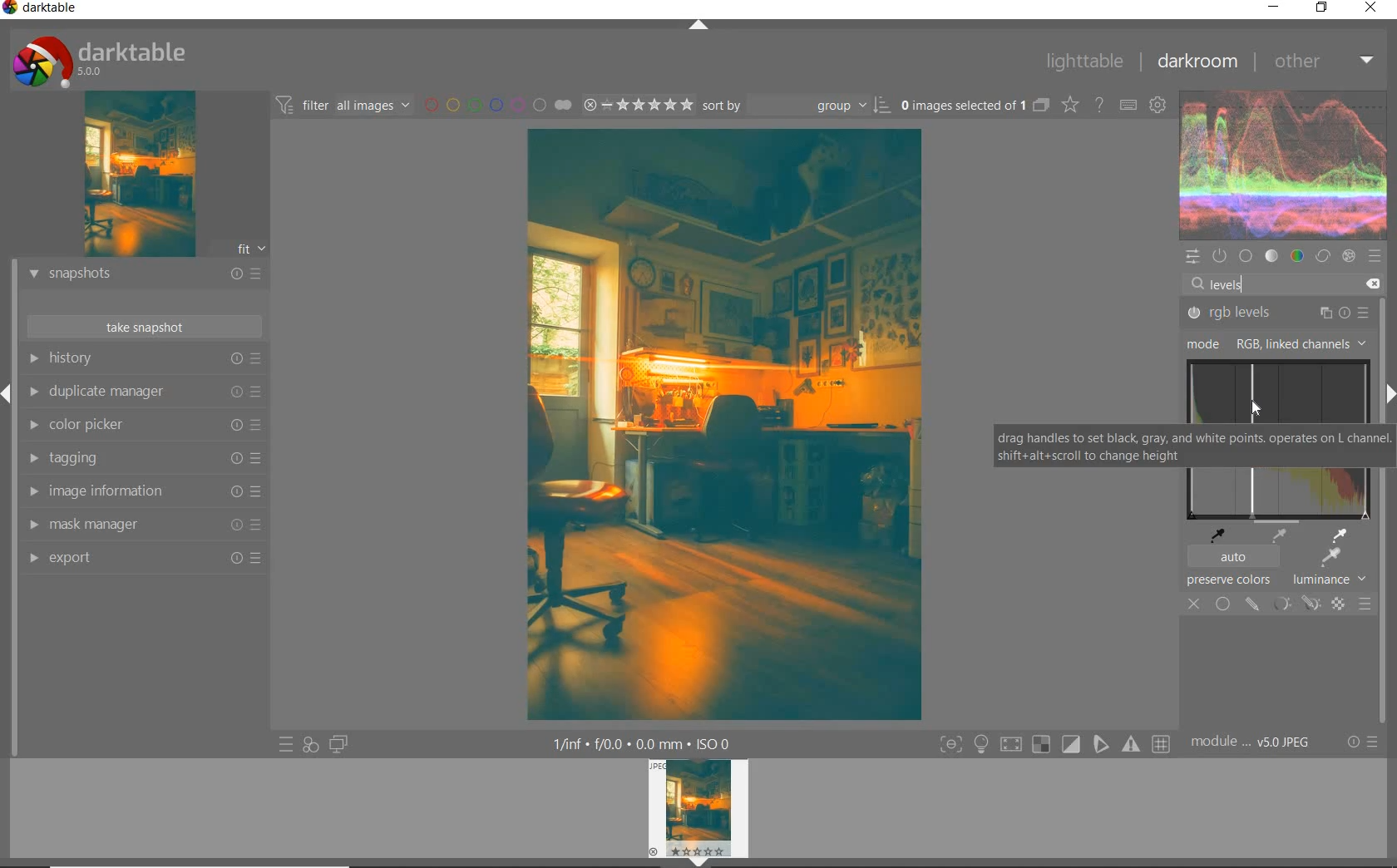 The height and width of the screenshot is (868, 1397). I want to click on export, so click(143, 559).